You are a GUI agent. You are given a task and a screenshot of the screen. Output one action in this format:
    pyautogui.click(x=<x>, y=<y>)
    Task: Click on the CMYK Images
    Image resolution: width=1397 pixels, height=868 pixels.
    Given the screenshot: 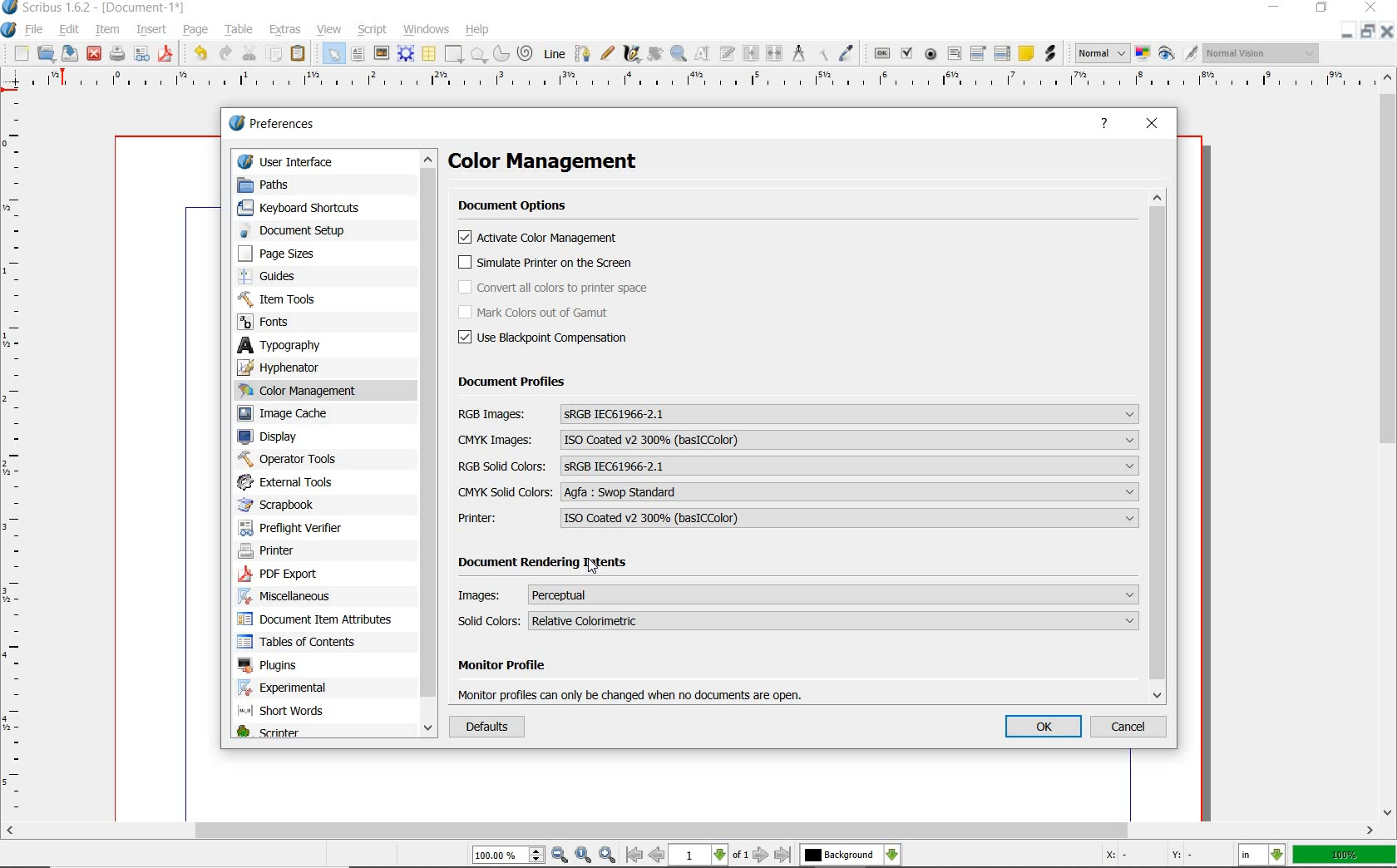 What is the action you would take?
    pyautogui.click(x=798, y=440)
    